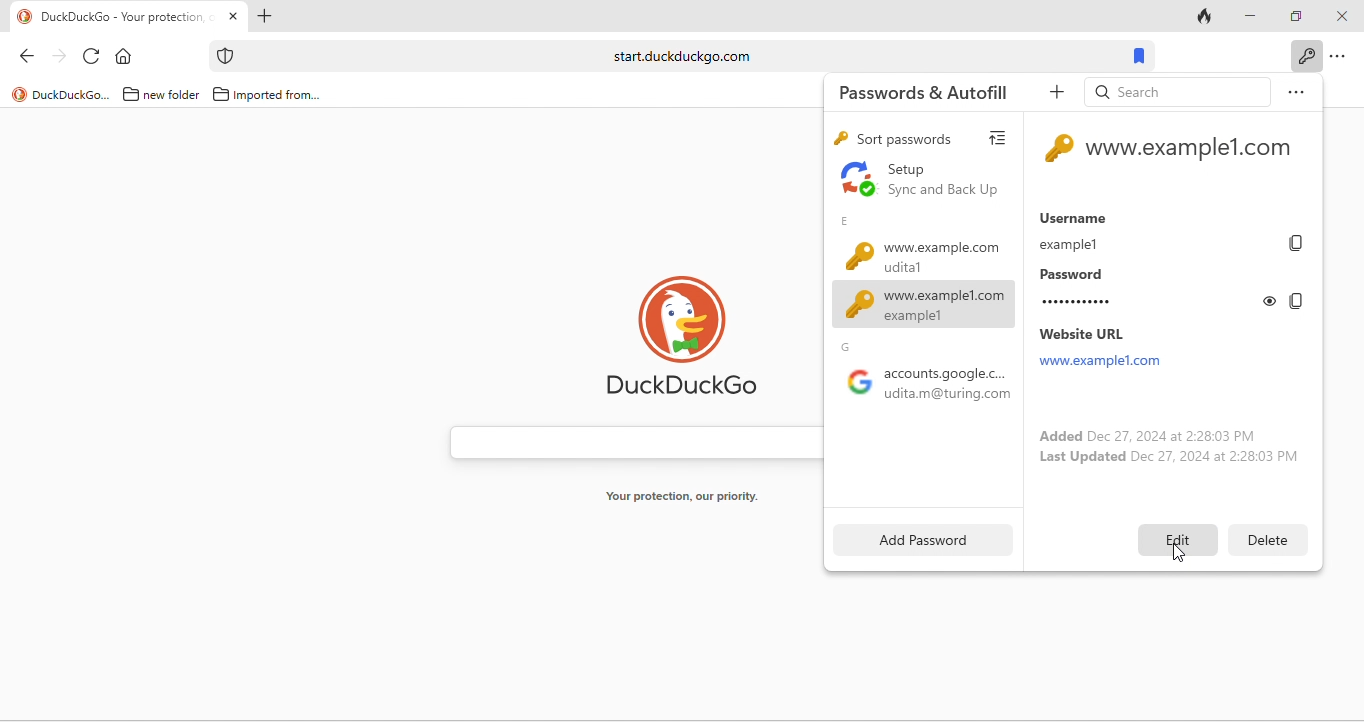 The image size is (1364, 722). What do you see at coordinates (1174, 540) in the screenshot?
I see `edit` at bounding box center [1174, 540].